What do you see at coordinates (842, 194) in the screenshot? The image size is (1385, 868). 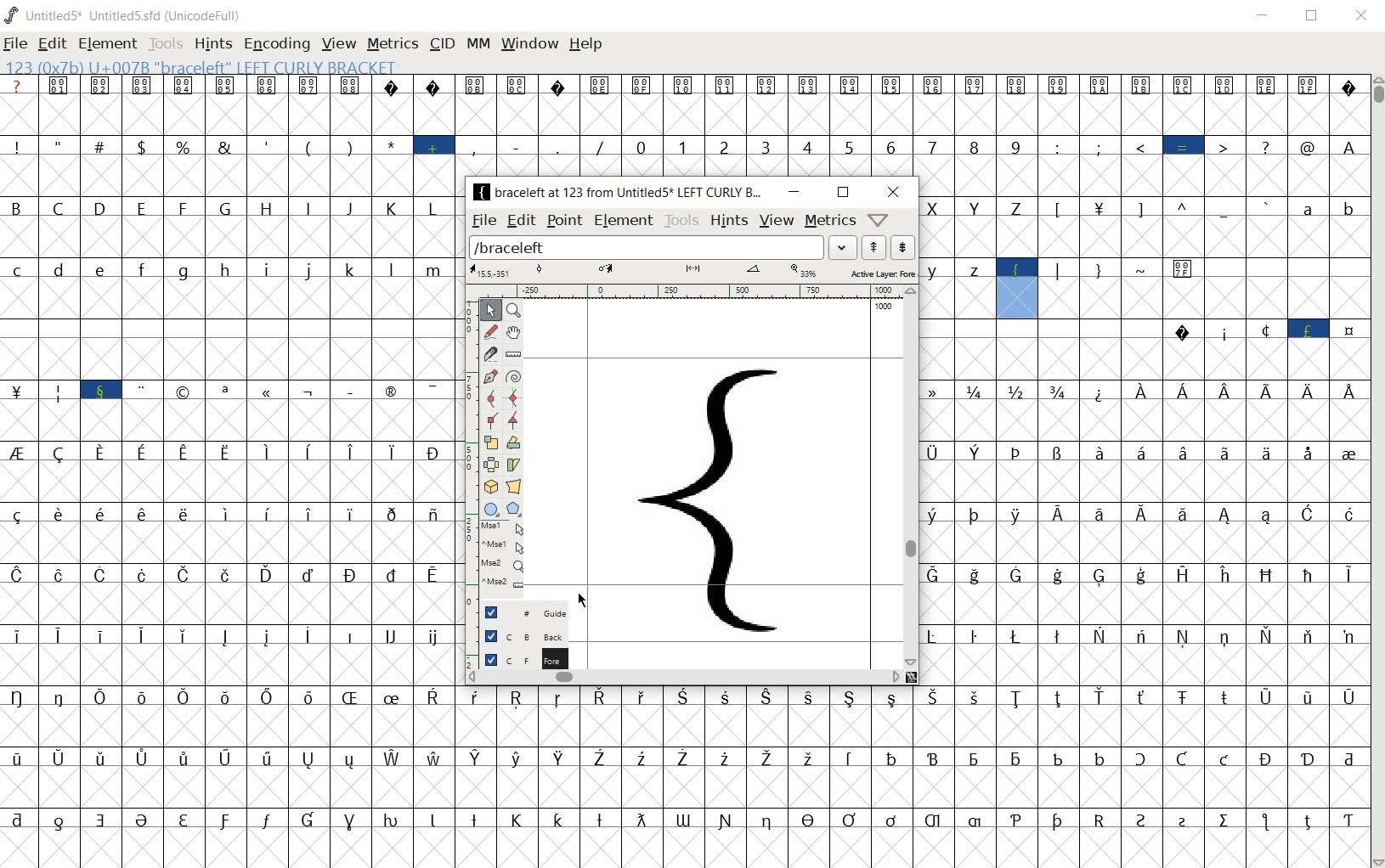 I see `restore down` at bounding box center [842, 194].